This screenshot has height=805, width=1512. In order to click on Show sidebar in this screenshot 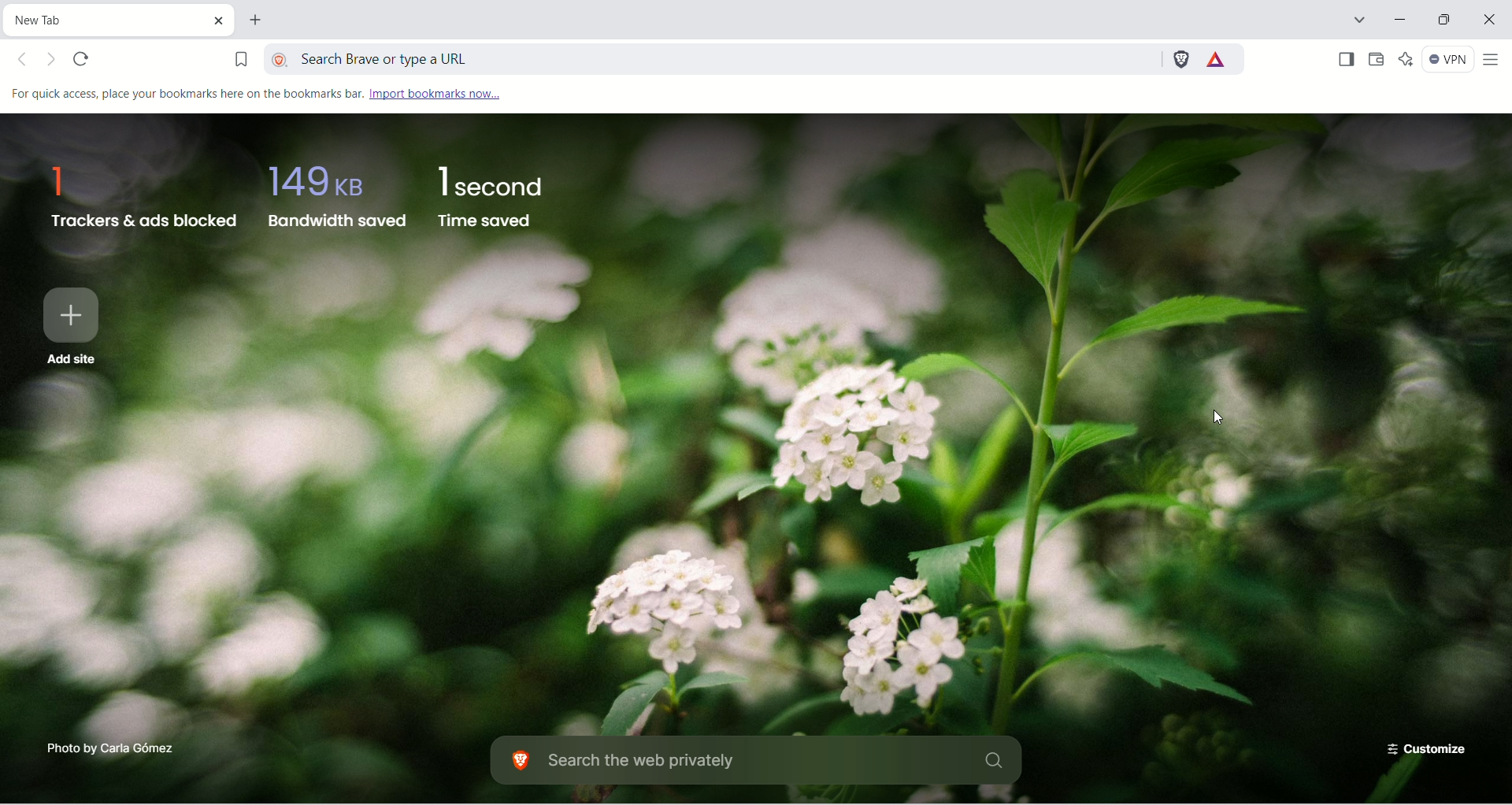, I will do `click(1345, 61)`.